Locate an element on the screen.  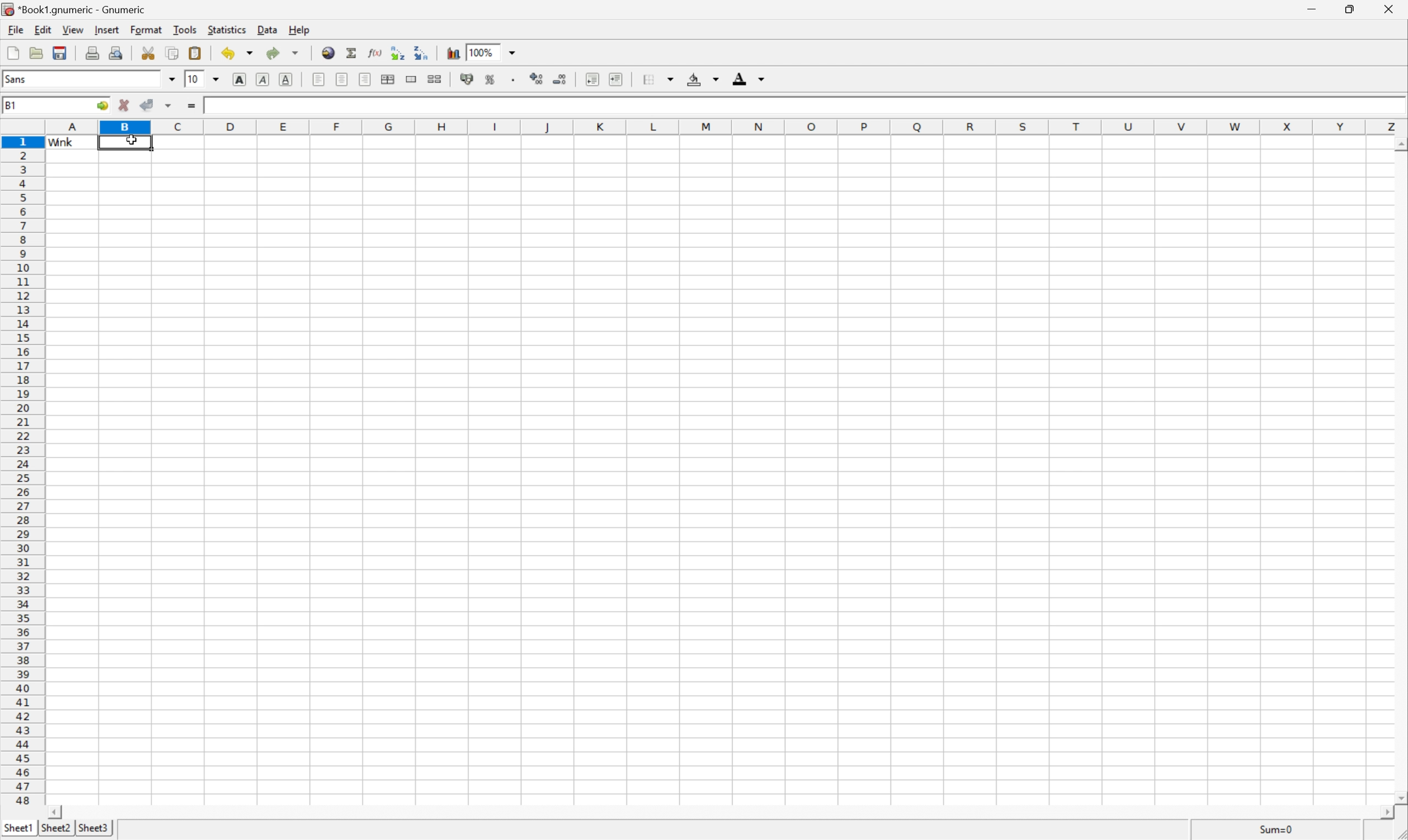
italic is located at coordinates (263, 78).